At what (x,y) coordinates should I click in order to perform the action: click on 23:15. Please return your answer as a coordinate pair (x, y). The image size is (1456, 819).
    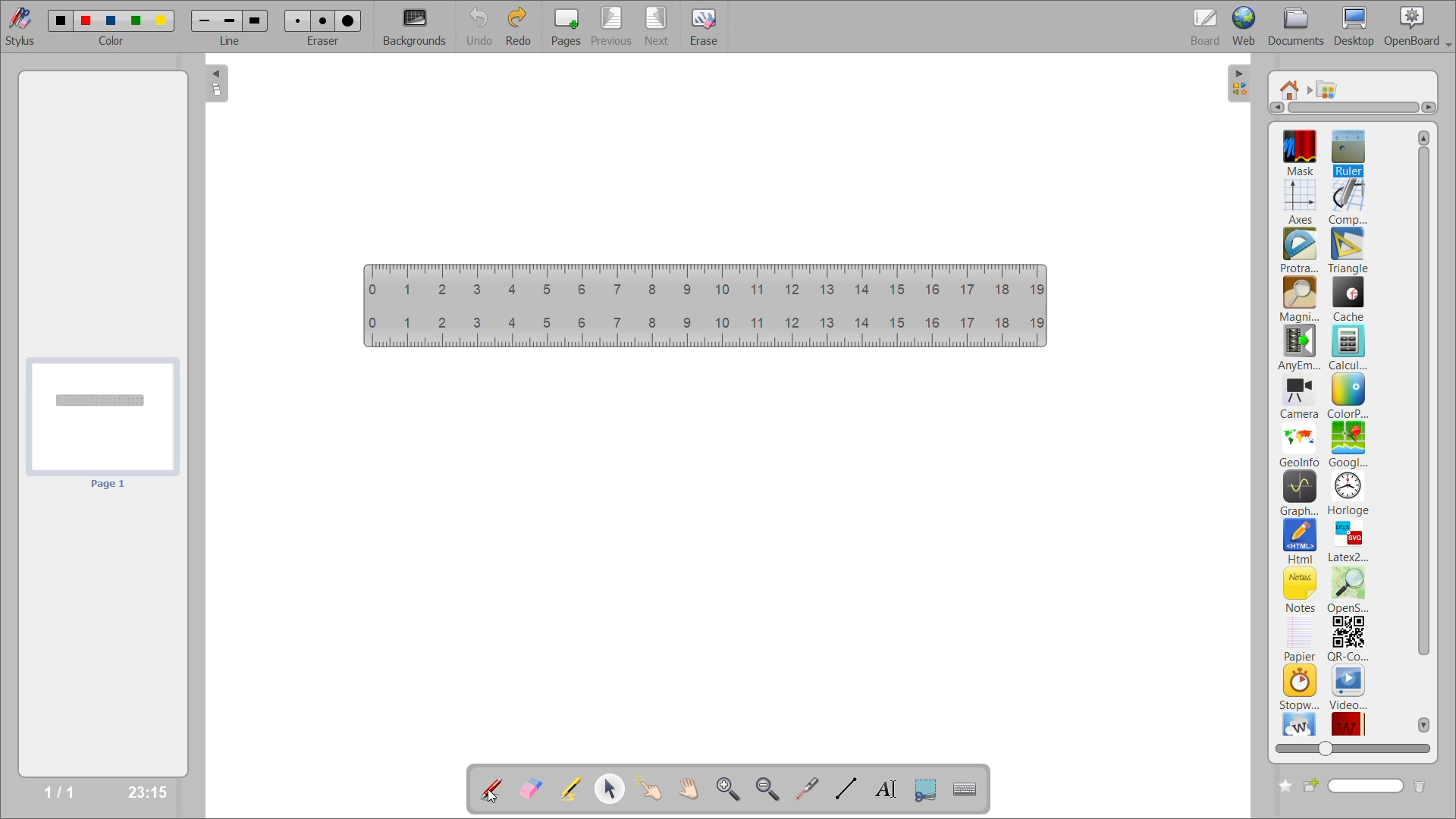
    Looking at the image, I should click on (146, 791).